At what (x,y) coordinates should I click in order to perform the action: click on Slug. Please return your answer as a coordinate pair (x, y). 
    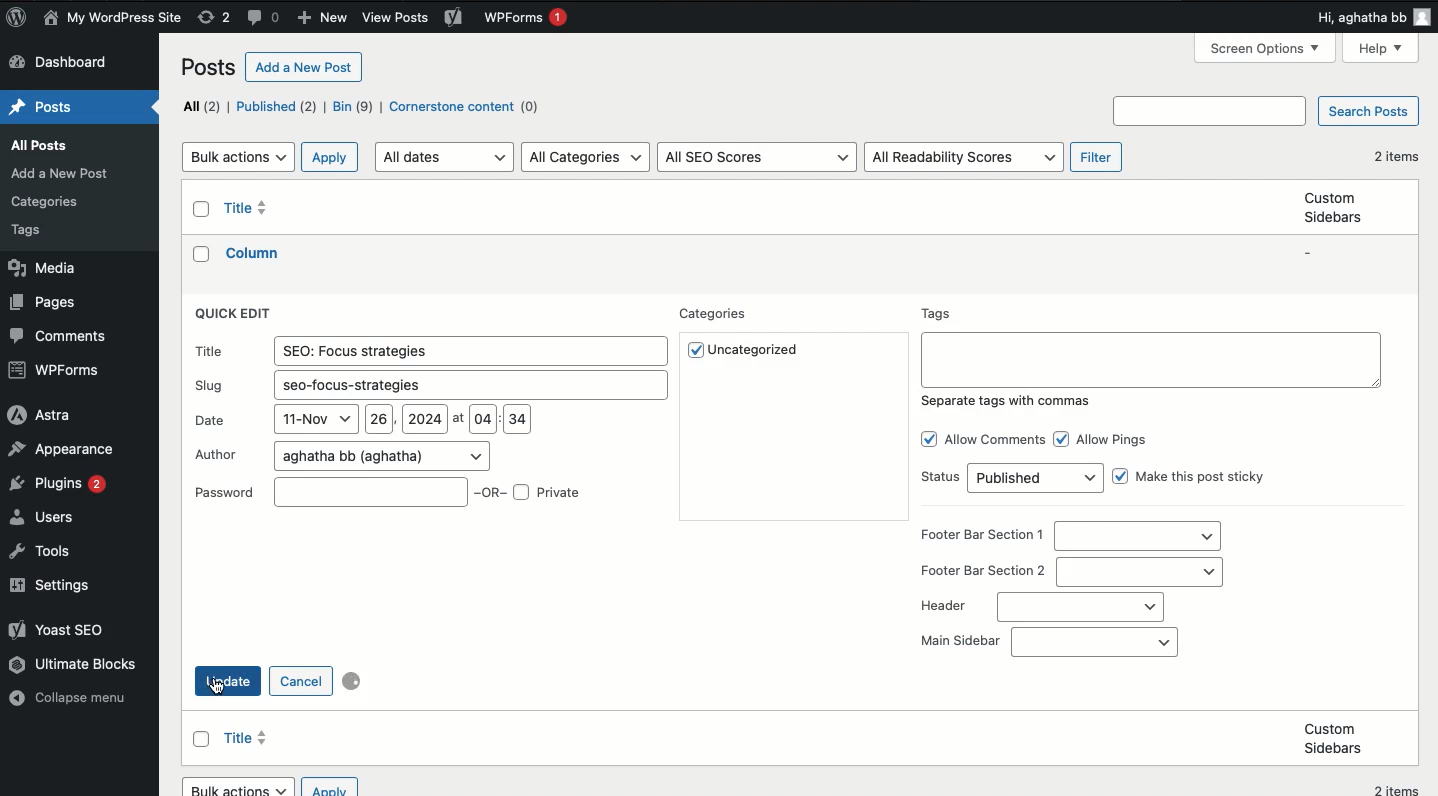
    Looking at the image, I should click on (211, 386).